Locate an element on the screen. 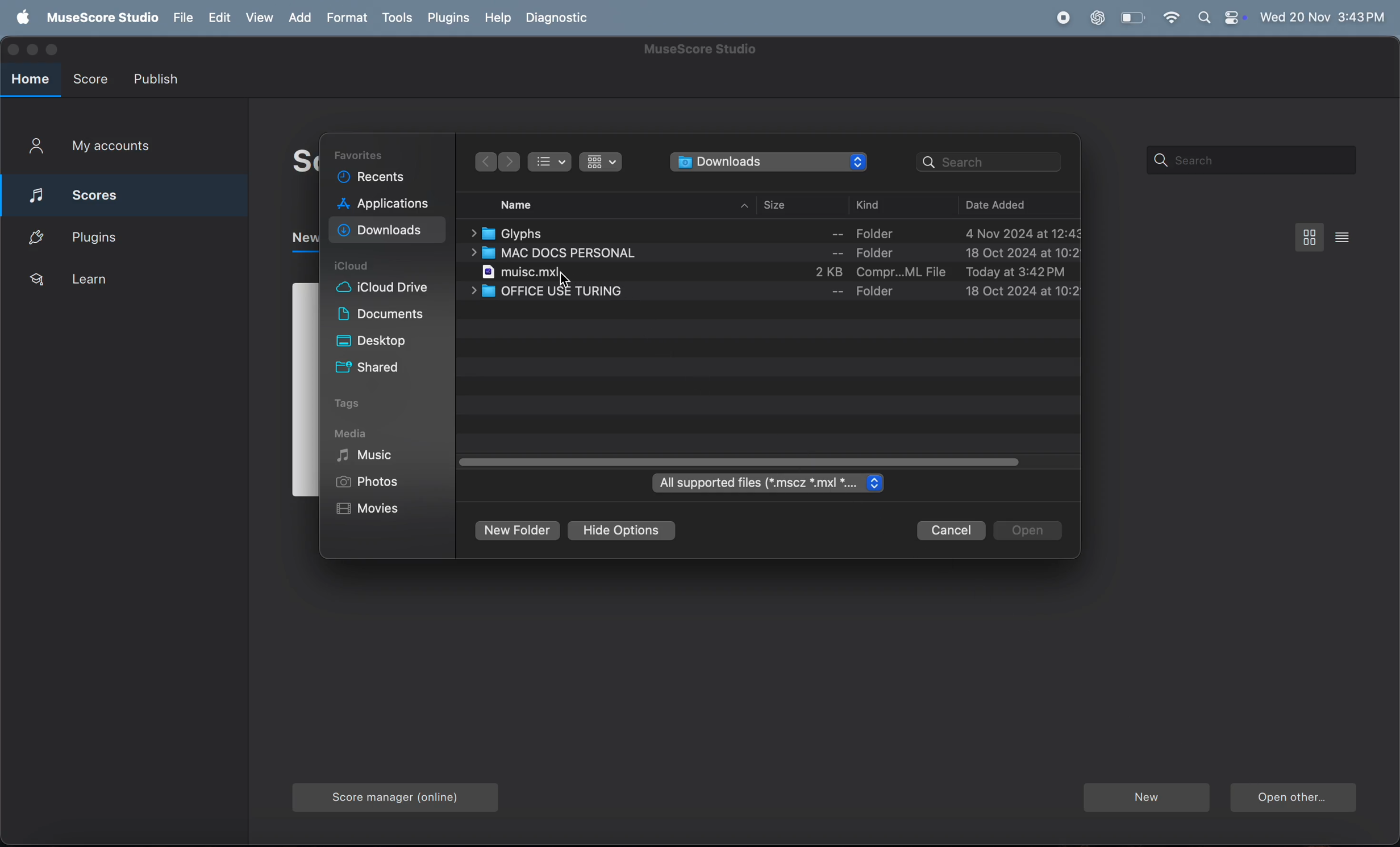 The width and height of the screenshot is (1400, 847). tags is located at coordinates (370, 402).